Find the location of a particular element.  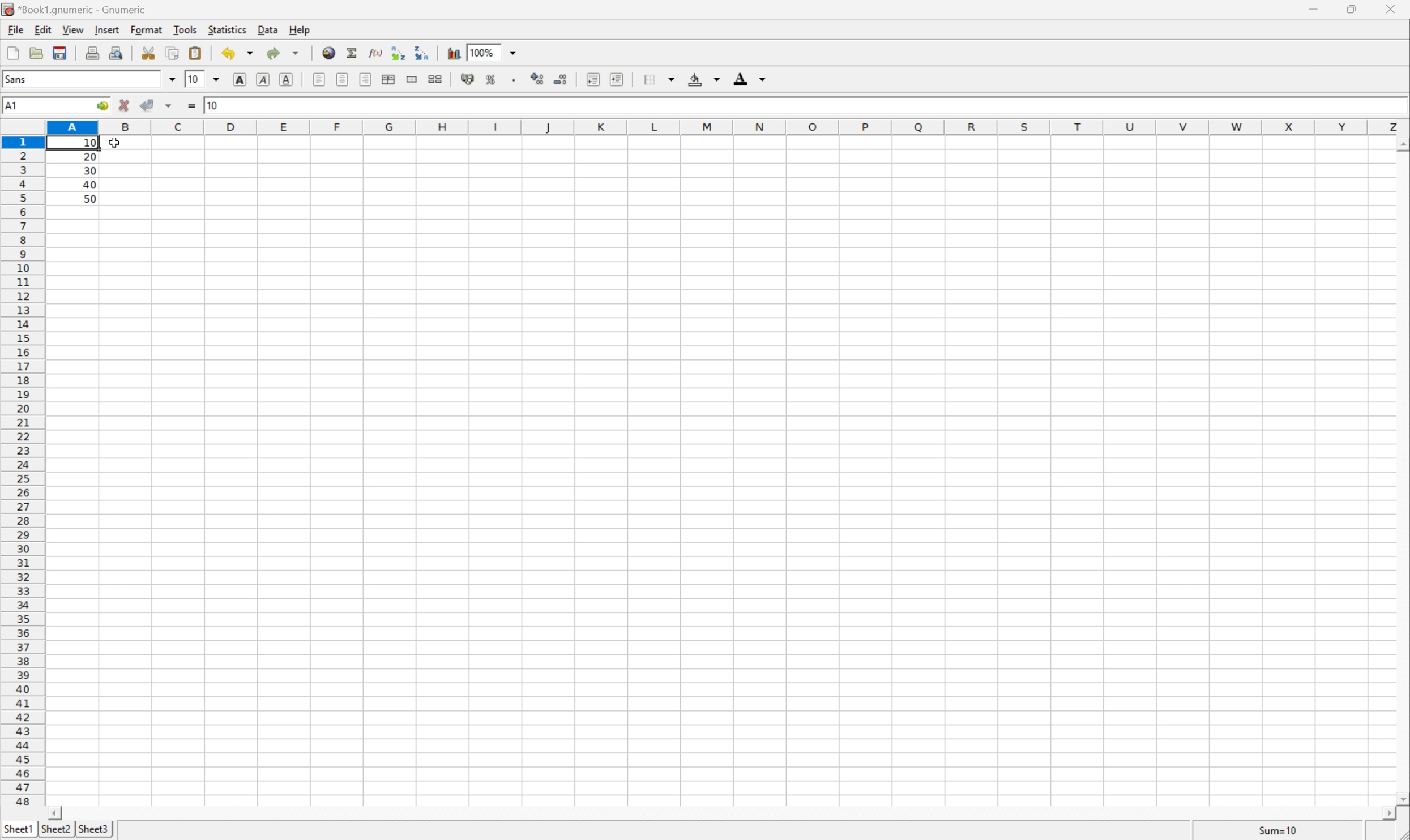

Format the selection as percentage is located at coordinates (488, 79).